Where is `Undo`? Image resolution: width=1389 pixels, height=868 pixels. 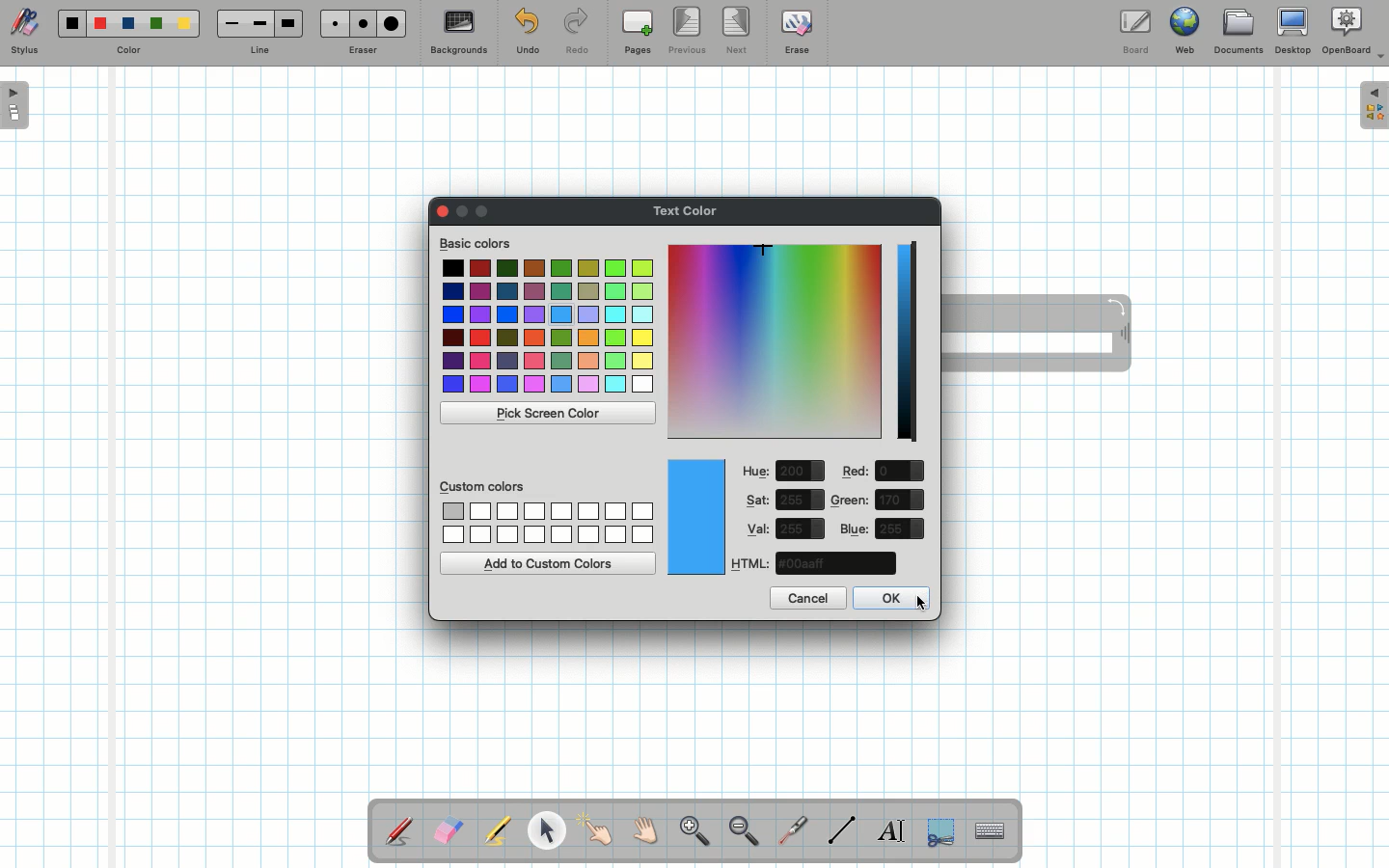
Undo is located at coordinates (527, 35).